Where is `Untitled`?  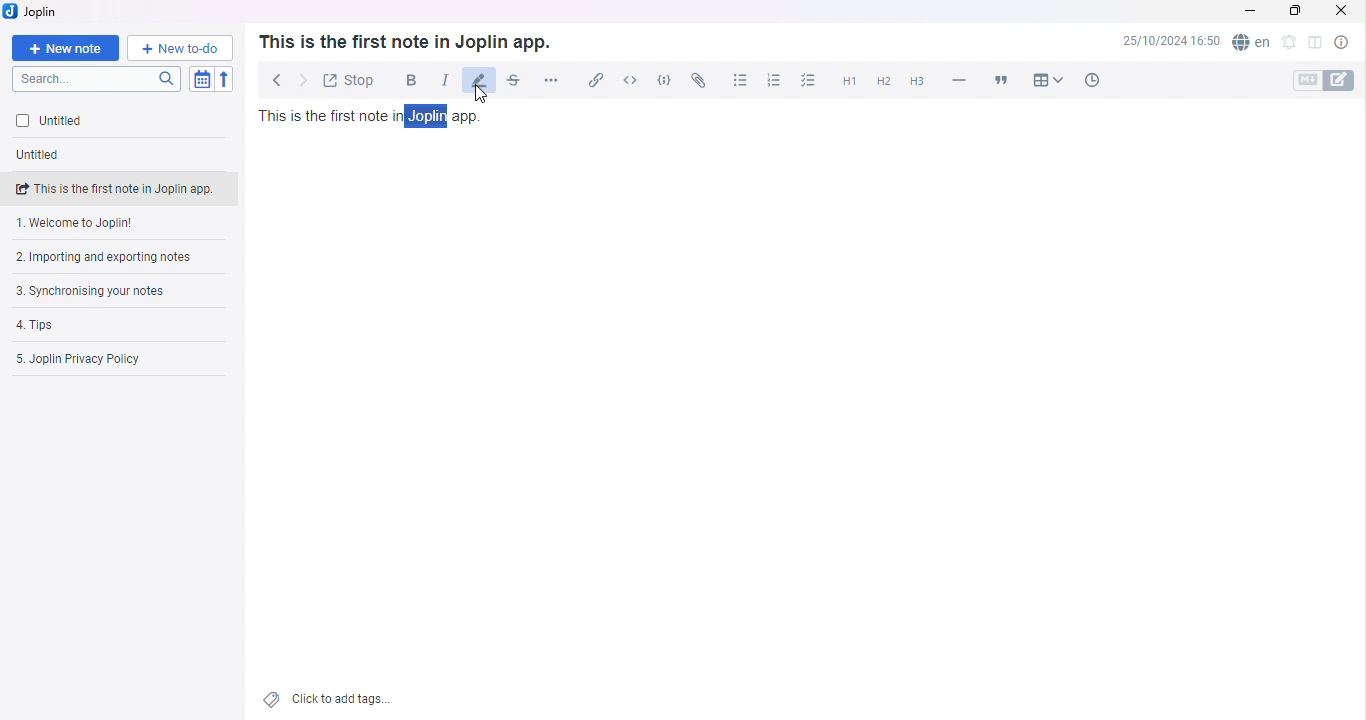
Untitled is located at coordinates (46, 156).